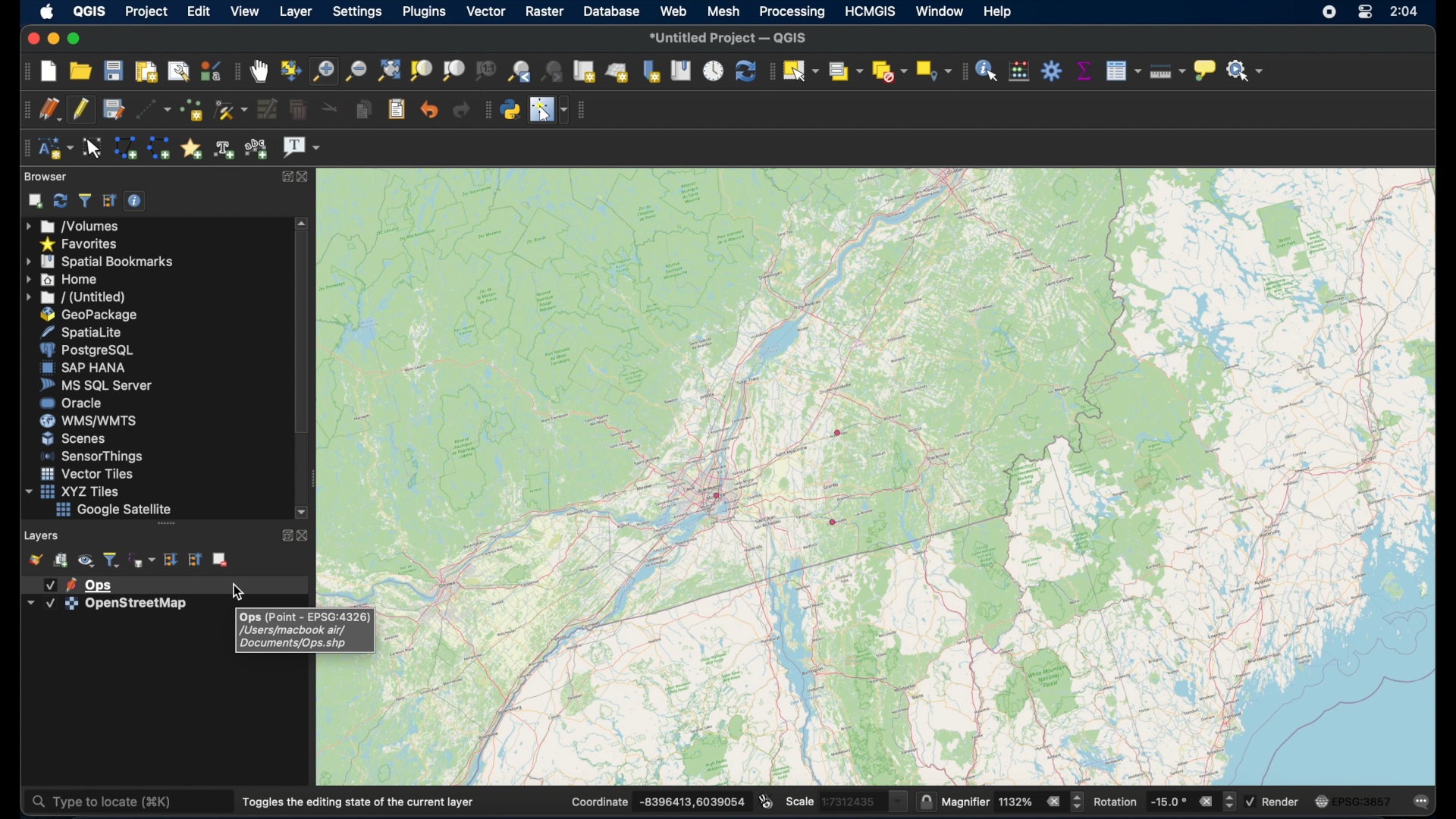 The width and height of the screenshot is (1456, 819). I want to click on save project, so click(115, 70).